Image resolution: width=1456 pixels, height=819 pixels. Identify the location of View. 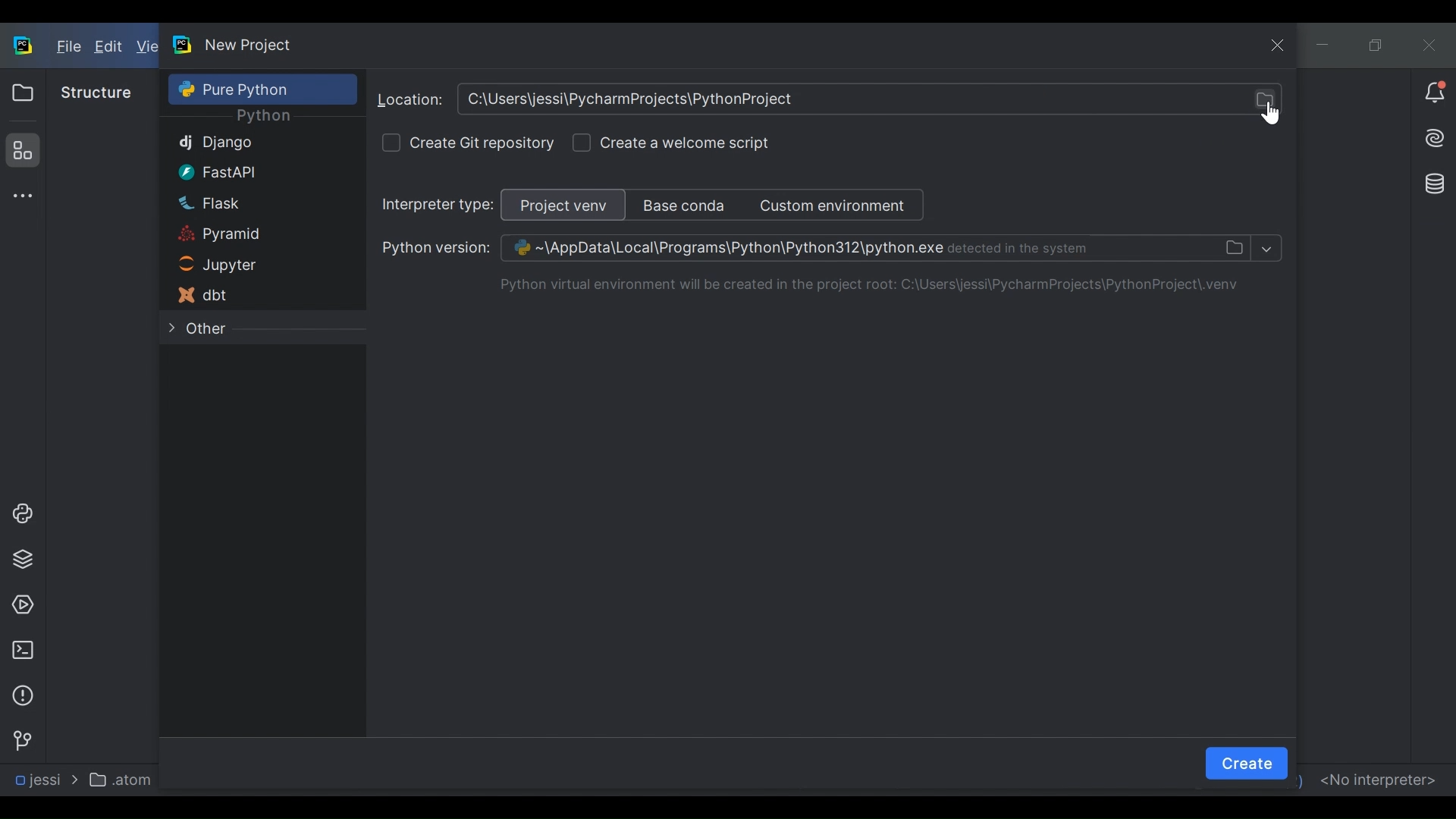
(147, 47).